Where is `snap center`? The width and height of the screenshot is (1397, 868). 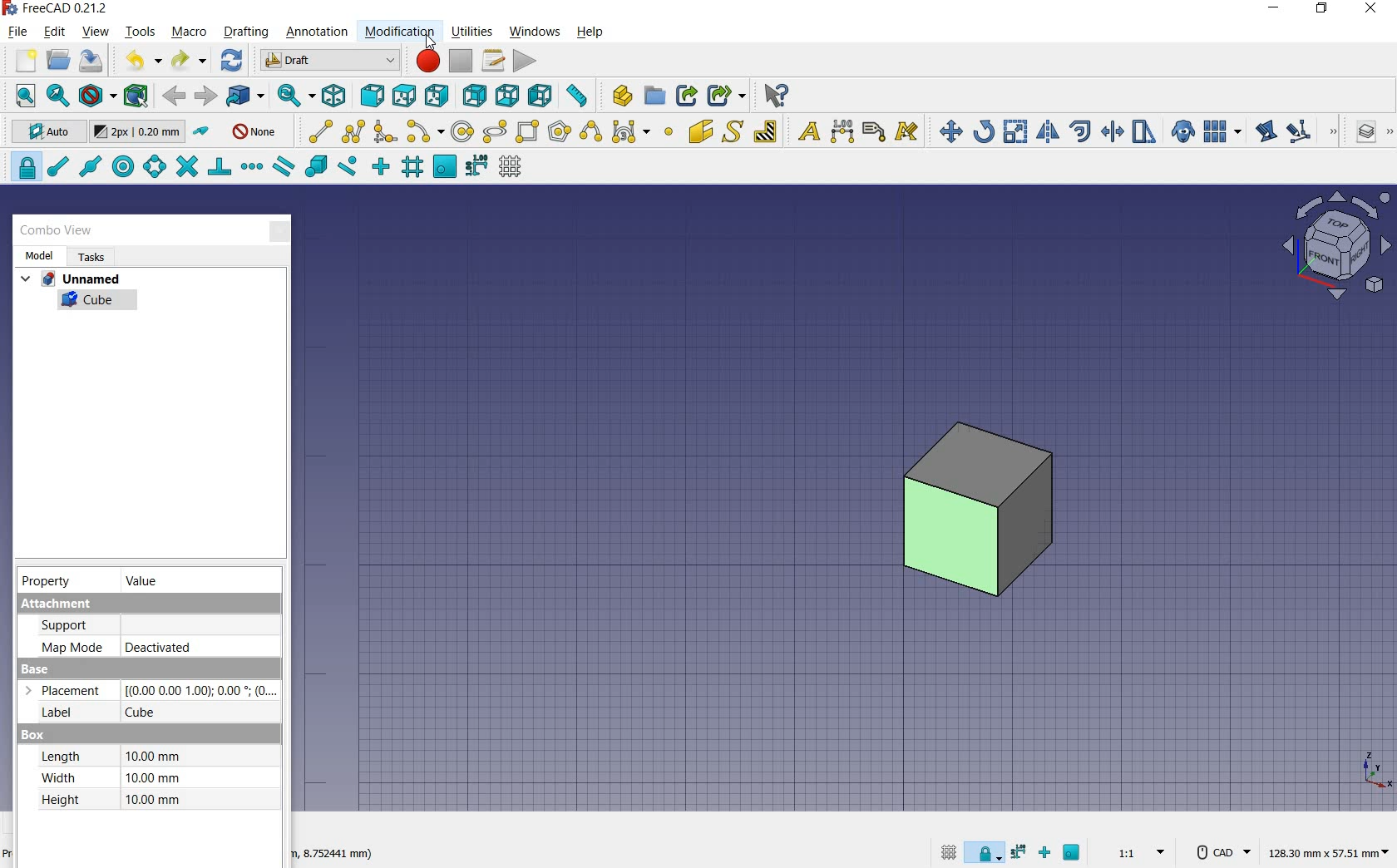 snap center is located at coordinates (125, 166).